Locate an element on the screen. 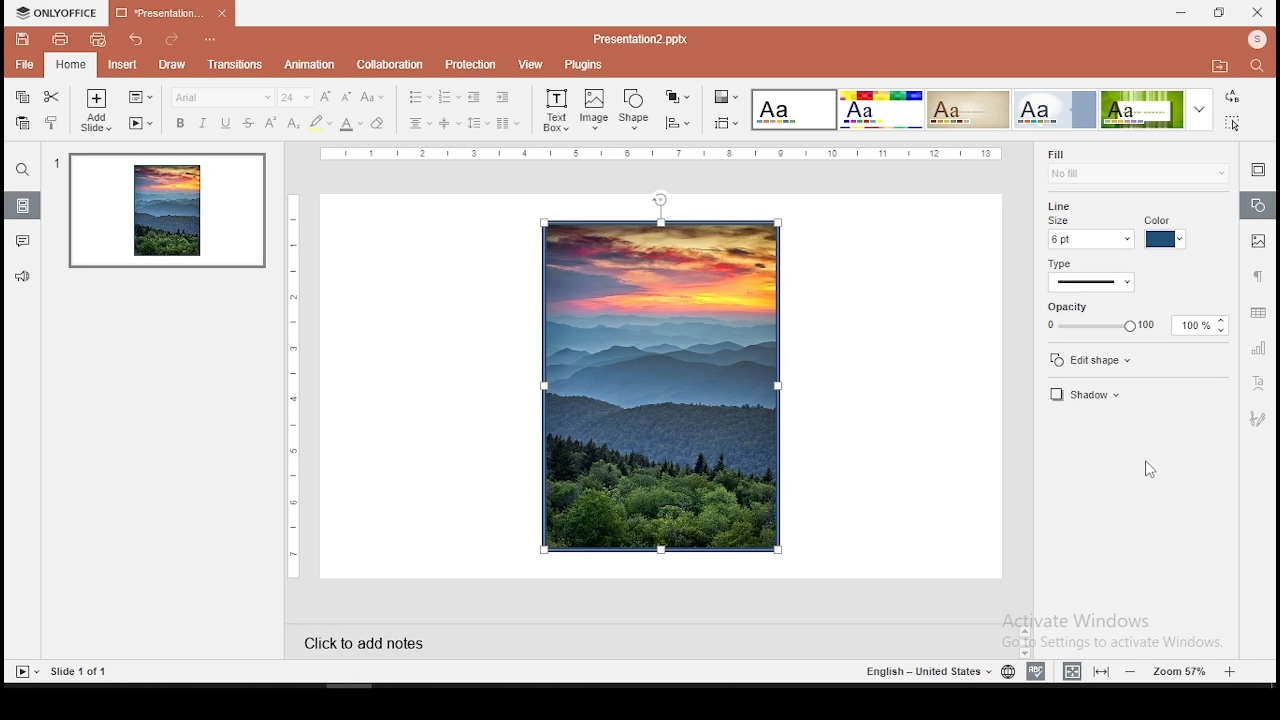 The height and width of the screenshot is (720, 1280). increase indent is located at coordinates (502, 96).